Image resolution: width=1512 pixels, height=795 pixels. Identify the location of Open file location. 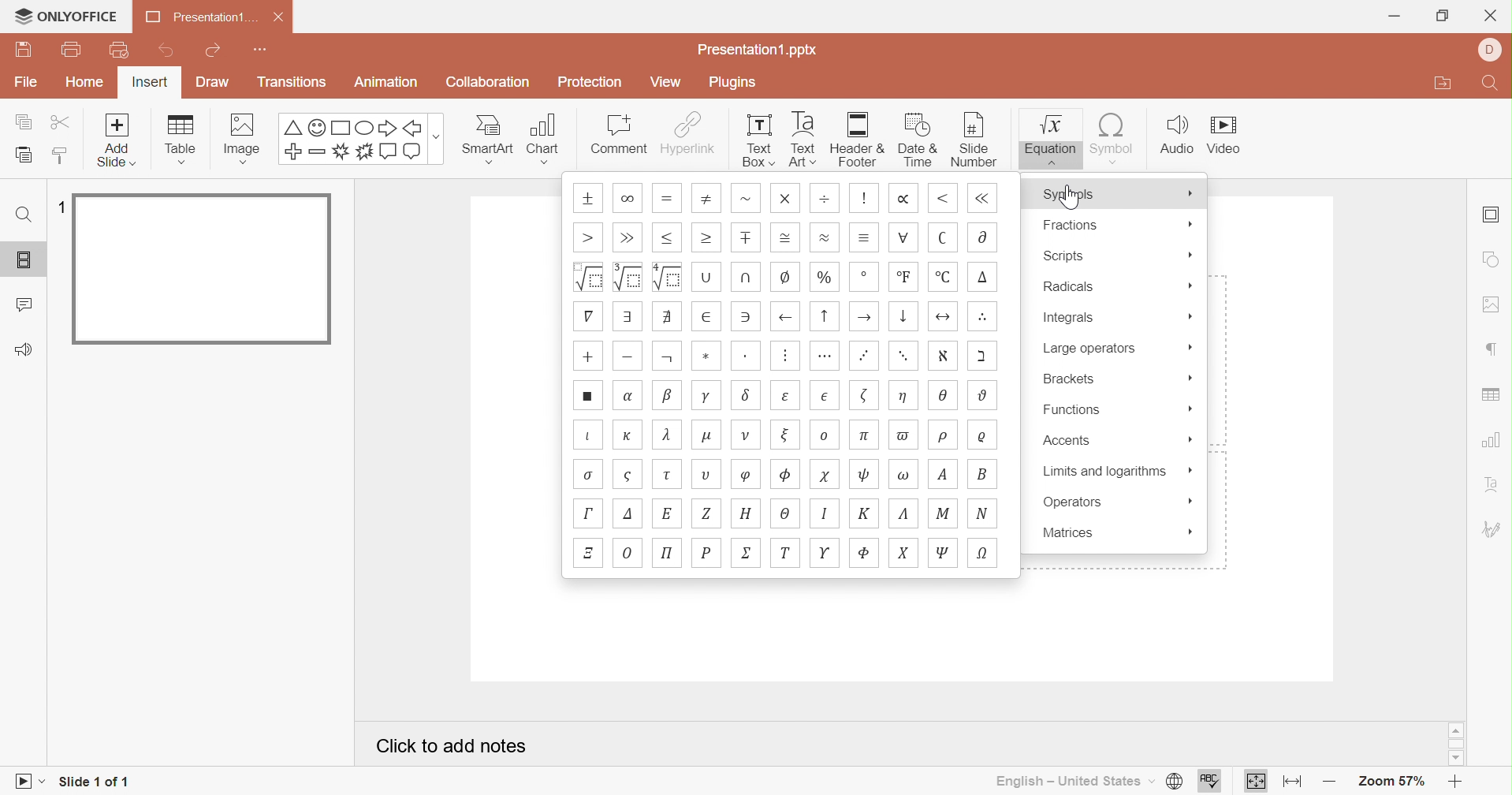
(1443, 86).